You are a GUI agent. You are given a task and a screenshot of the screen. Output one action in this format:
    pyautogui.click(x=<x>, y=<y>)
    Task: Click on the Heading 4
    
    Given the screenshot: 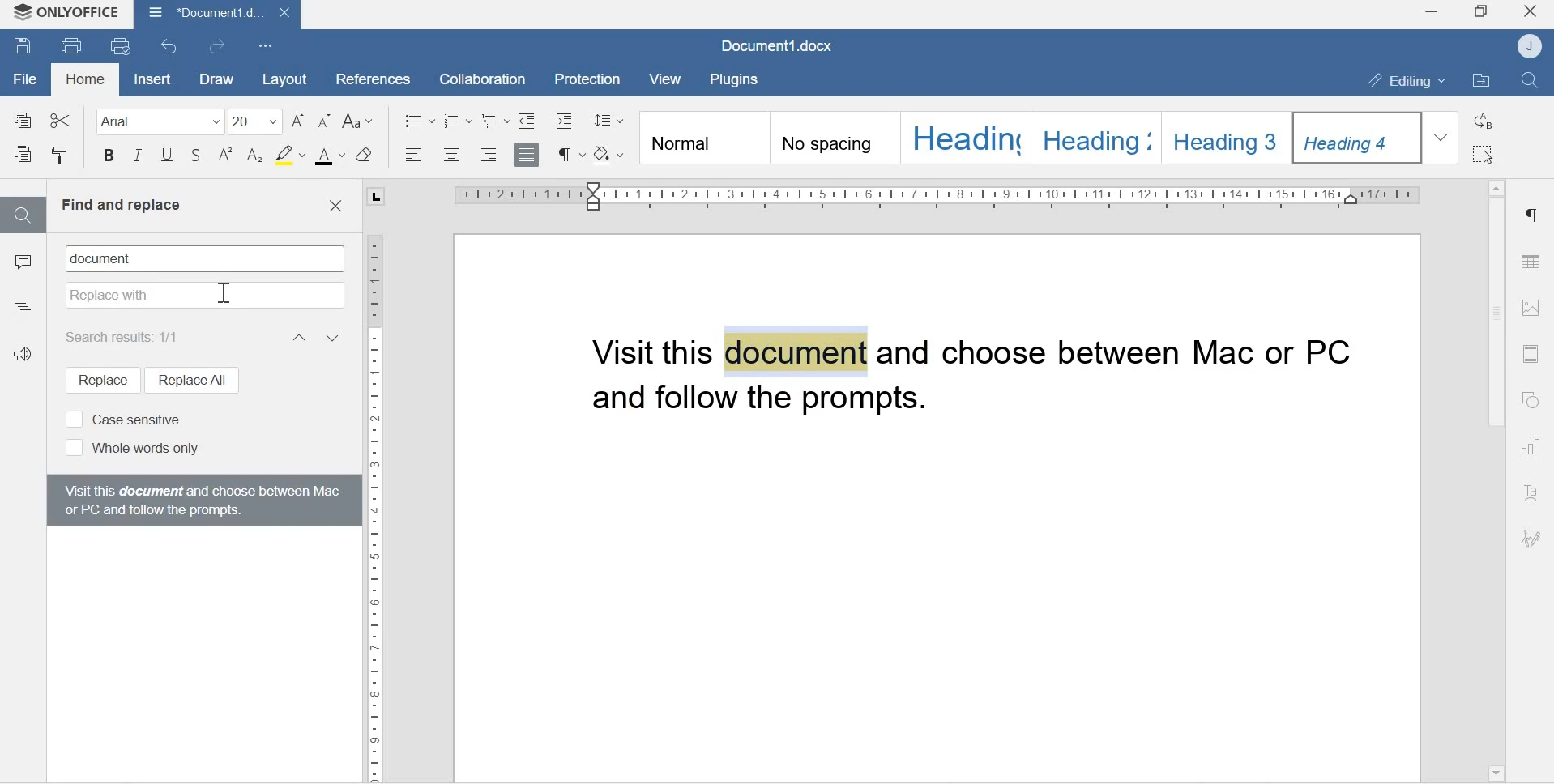 What is the action you would take?
    pyautogui.click(x=1359, y=138)
    